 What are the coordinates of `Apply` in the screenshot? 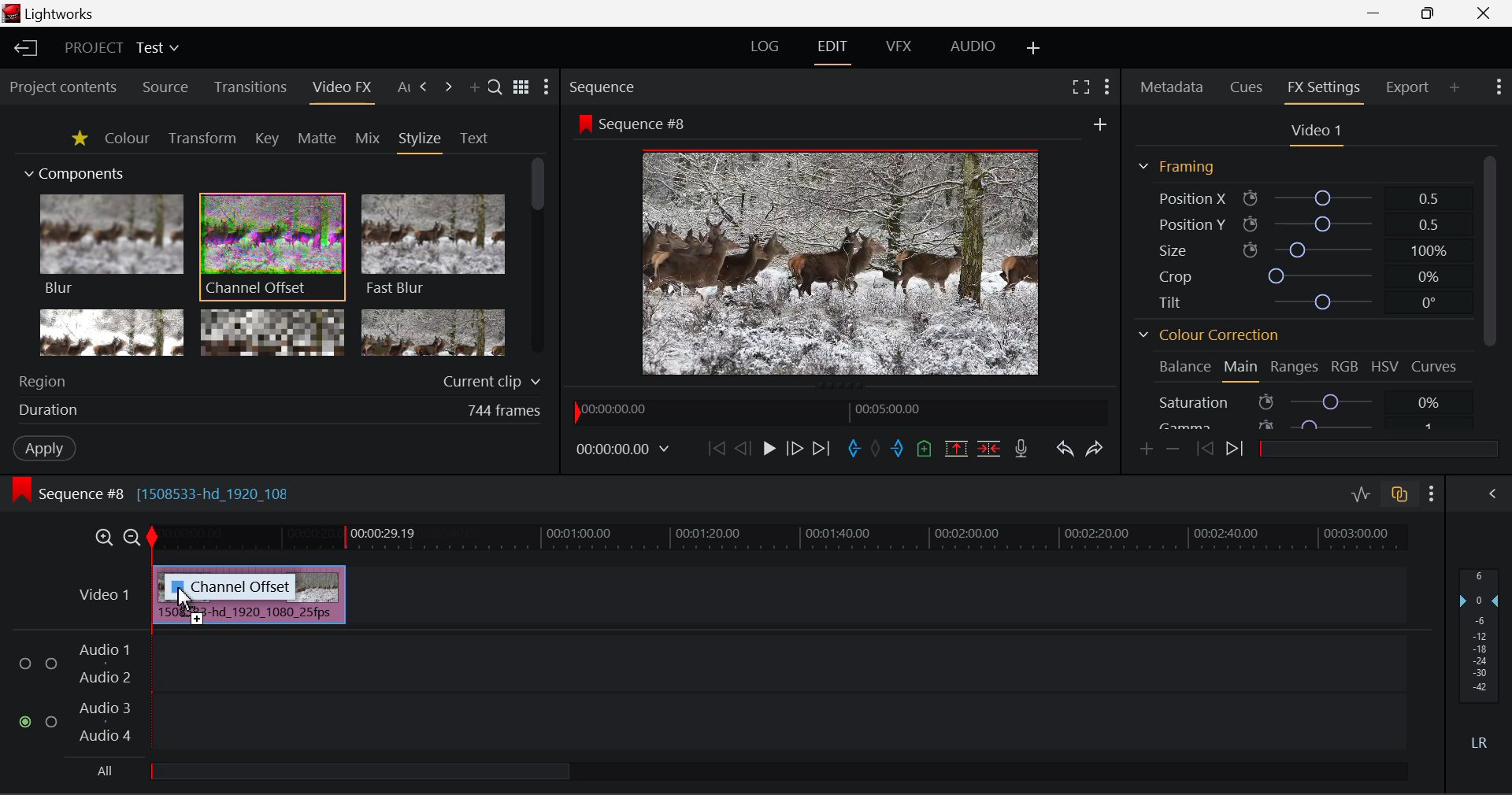 It's located at (46, 449).